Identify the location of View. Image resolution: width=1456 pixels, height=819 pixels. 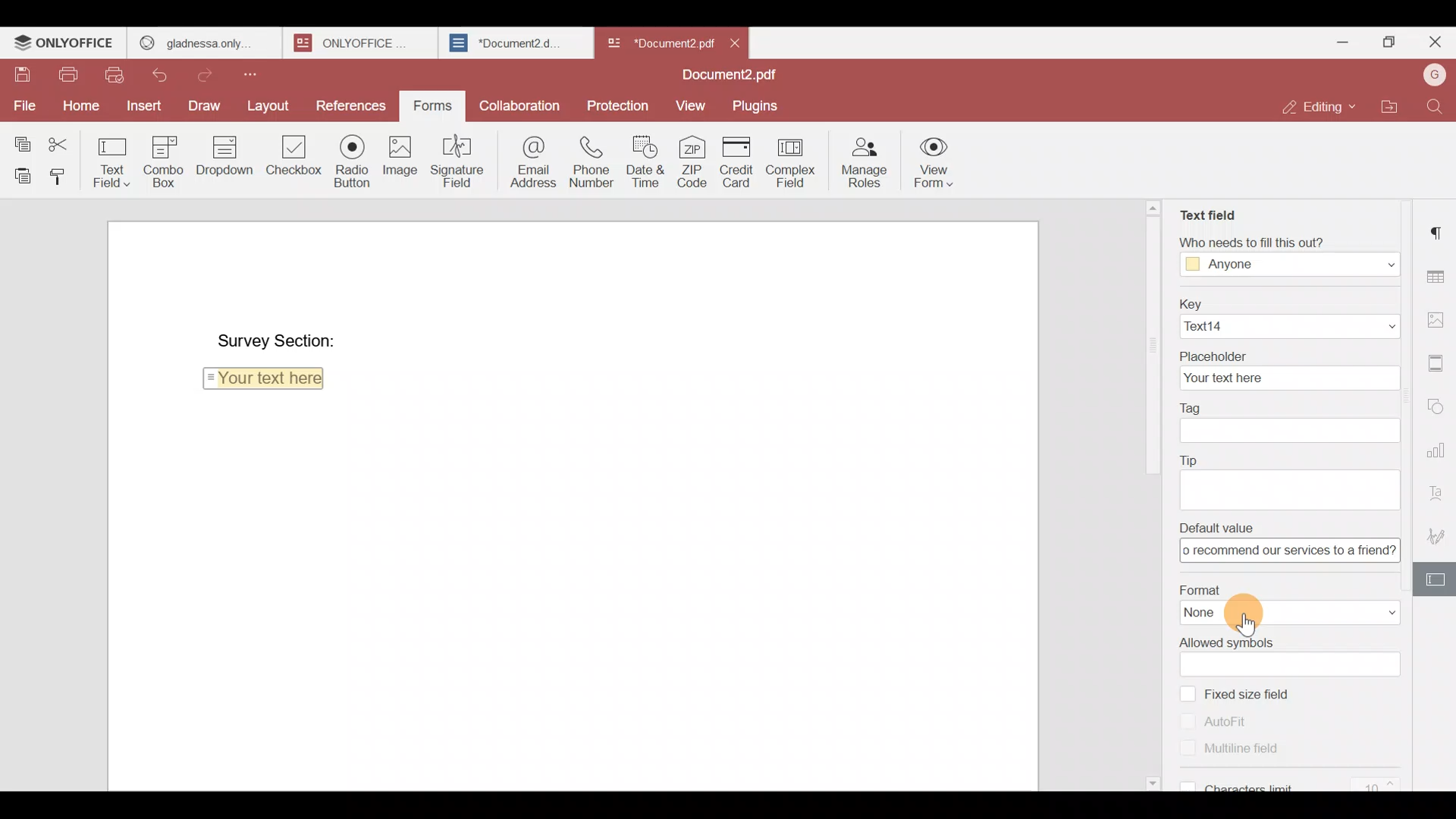
(687, 104).